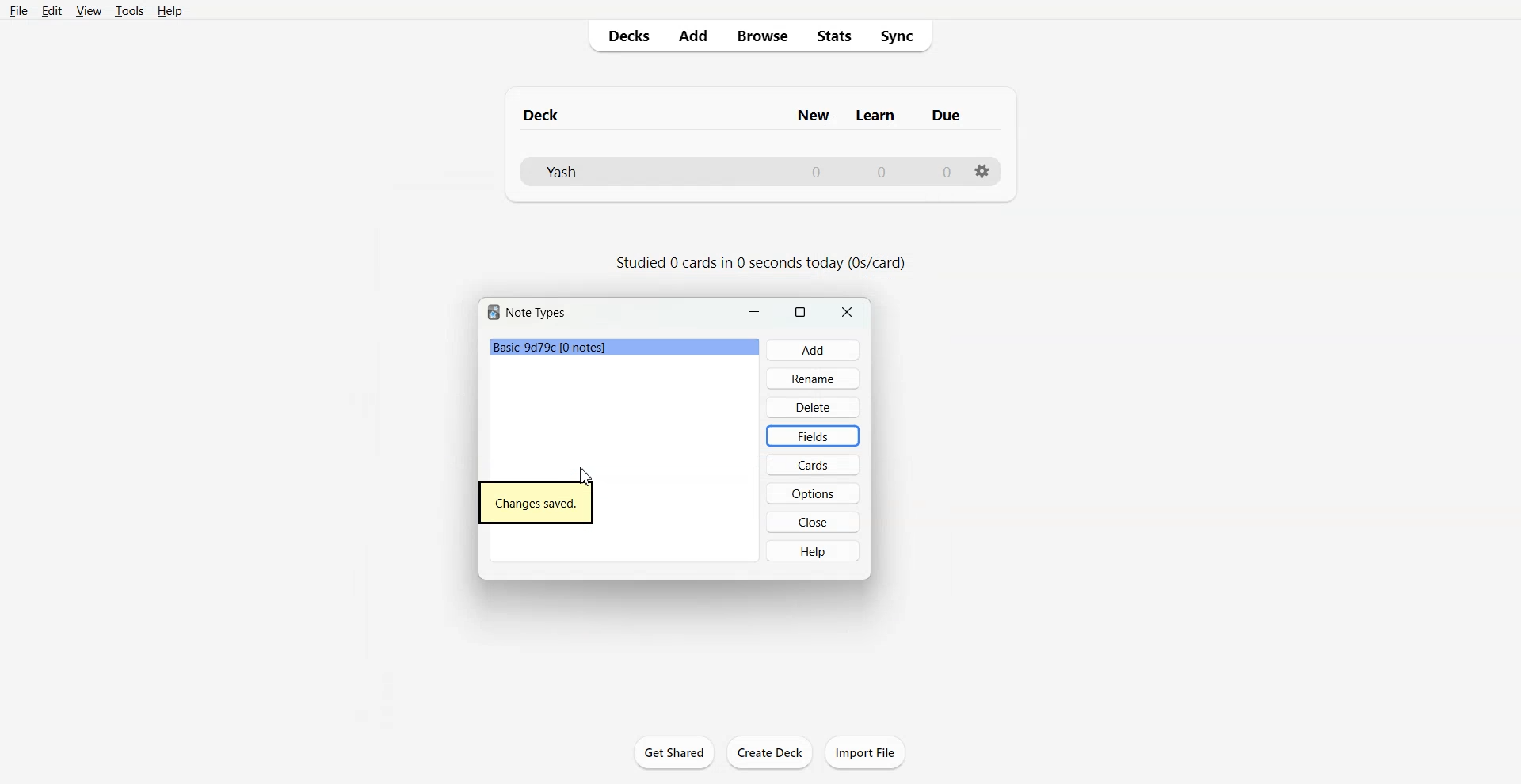  Describe the element at coordinates (17, 10) in the screenshot. I see `File` at that location.